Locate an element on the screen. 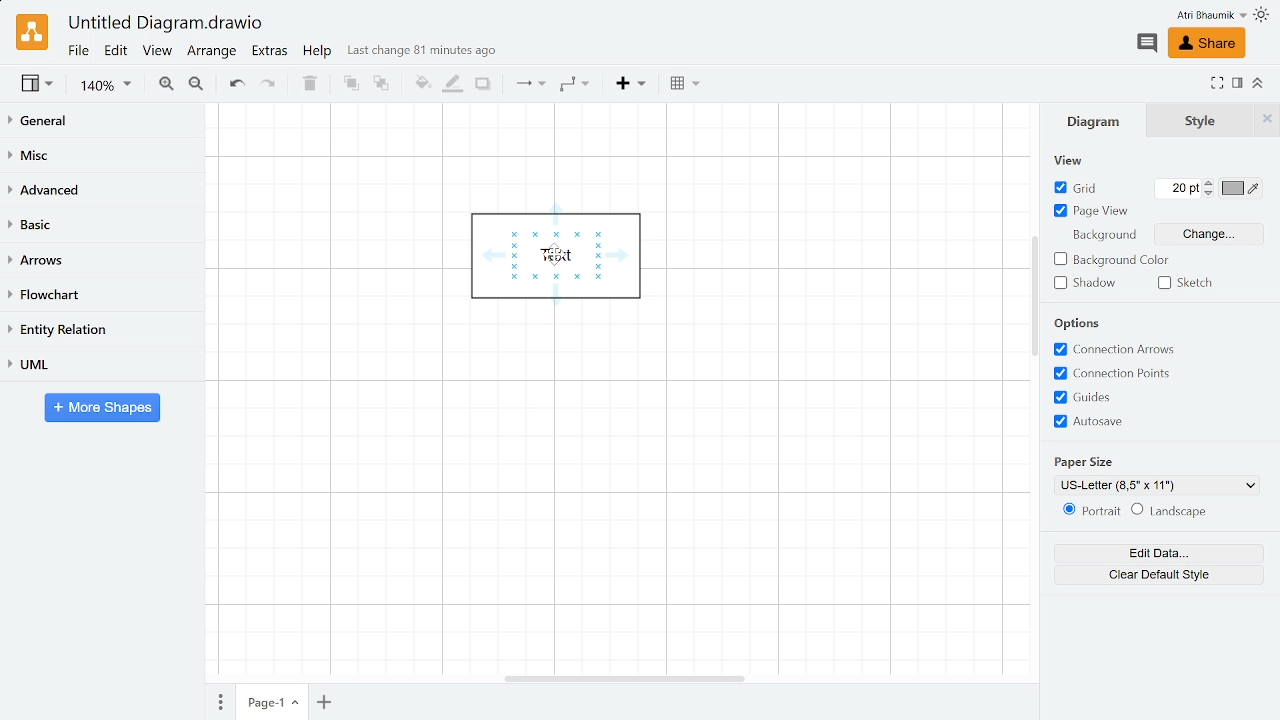 This screenshot has height=720, width=1280. Autosave is located at coordinates (1121, 423).